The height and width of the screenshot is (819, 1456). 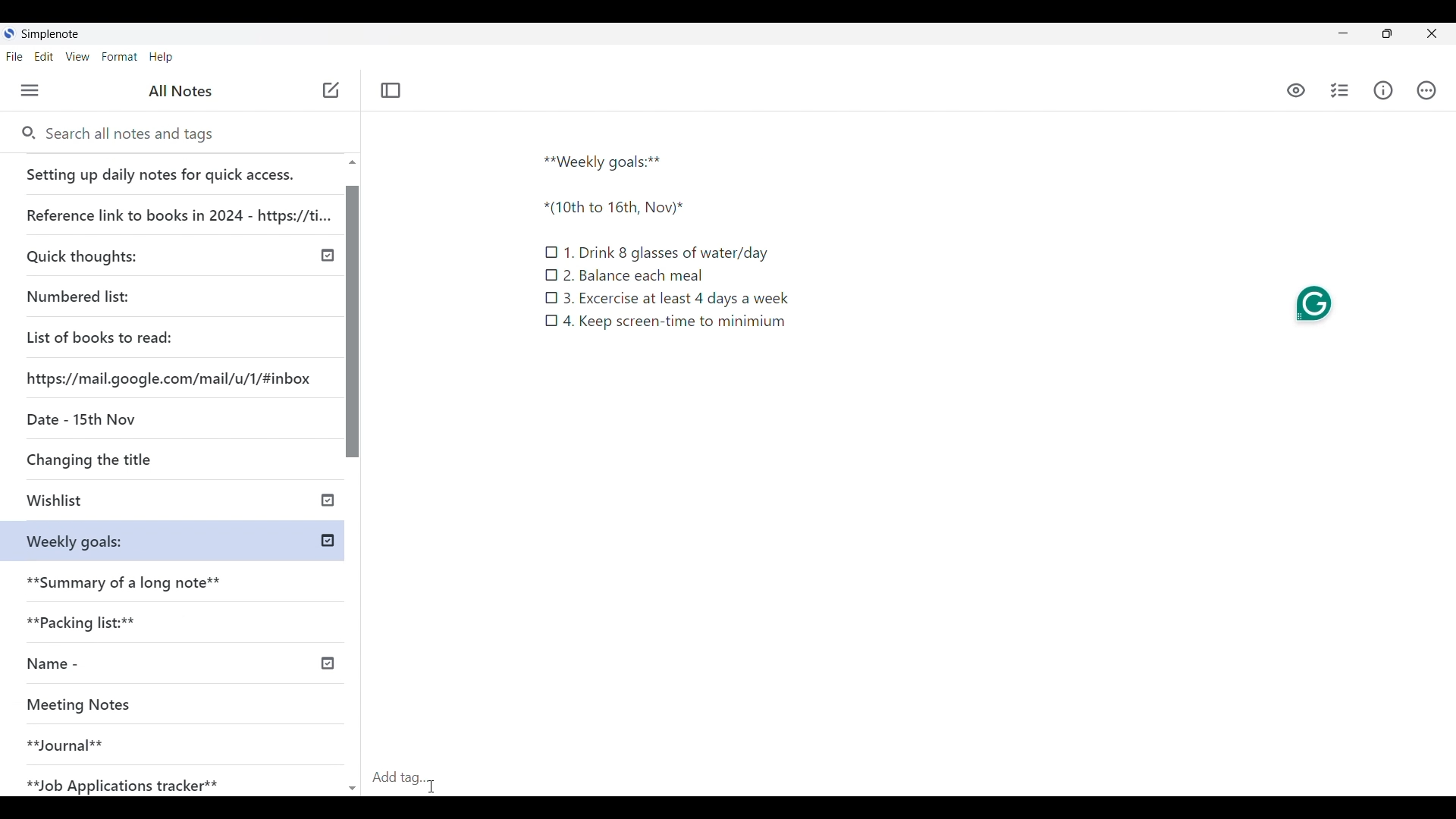 What do you see at coordinates (1339, 90) in the screenshot?
I see `Insert checklist` at bounding box center [1339, 90].